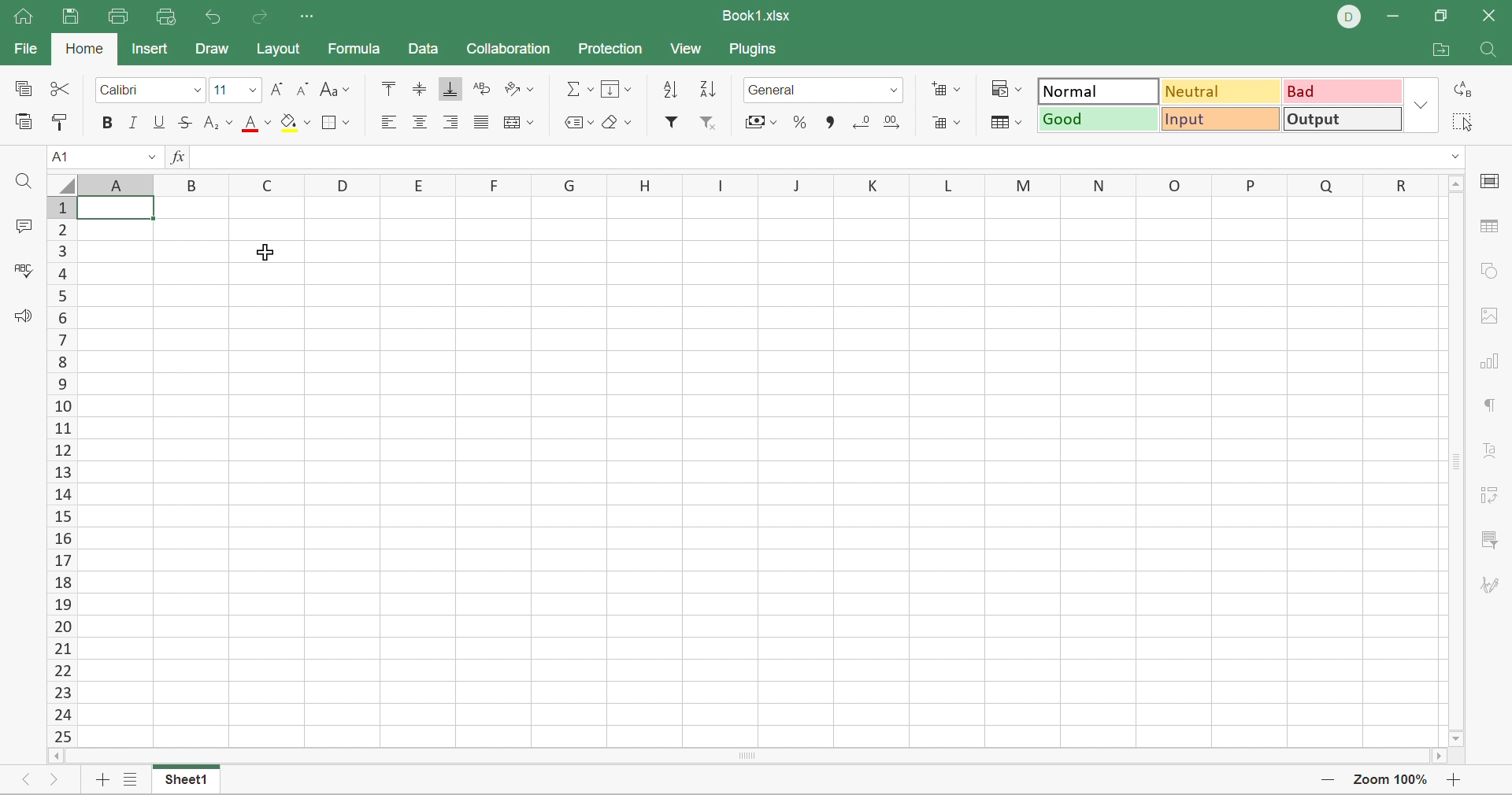 The width and height of the screenshot is (1512, 795). I want to click on Conditional formatting, so click(1008, 87).